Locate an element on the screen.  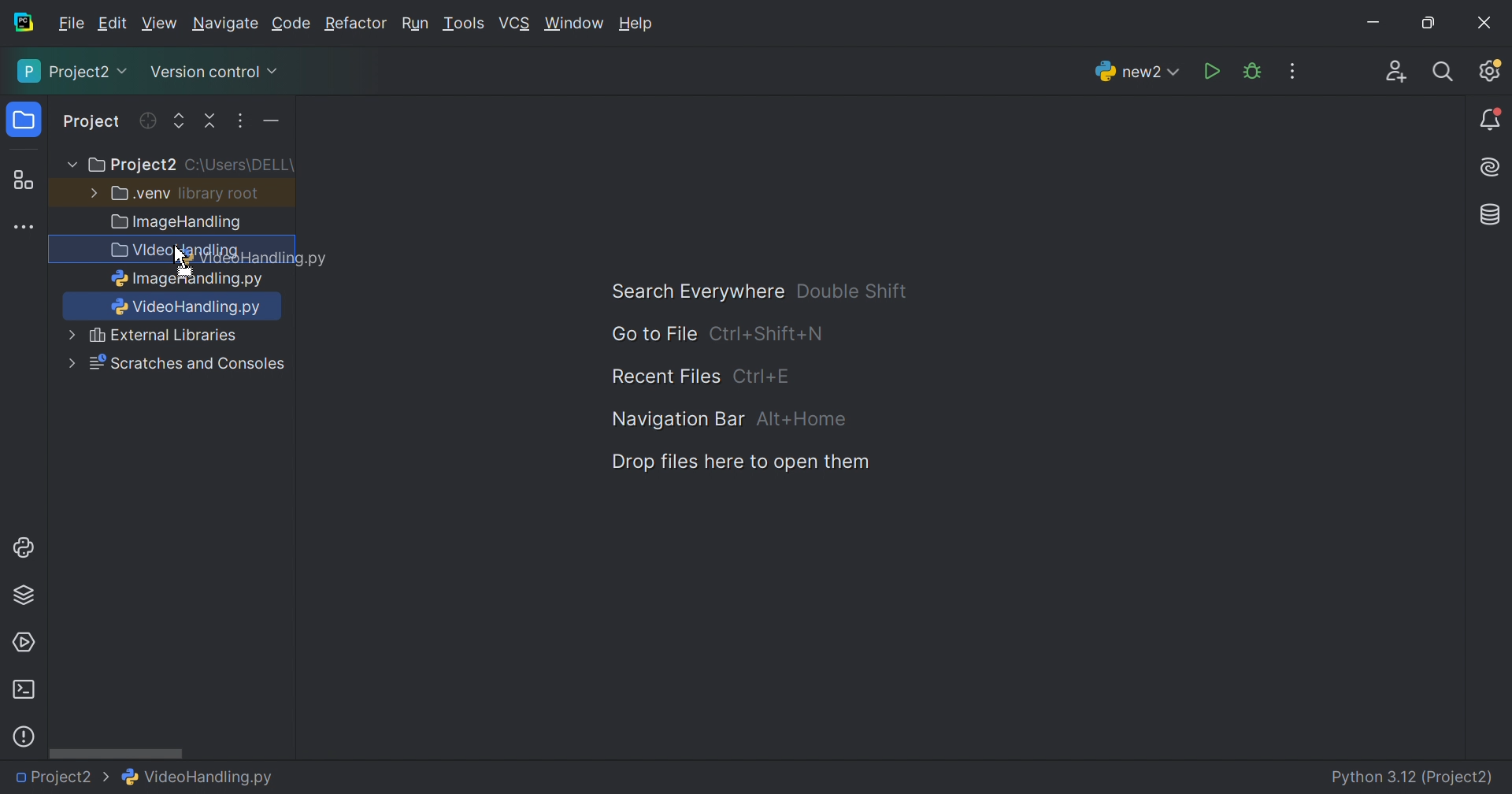
Project is located at coordinates (93, 123).